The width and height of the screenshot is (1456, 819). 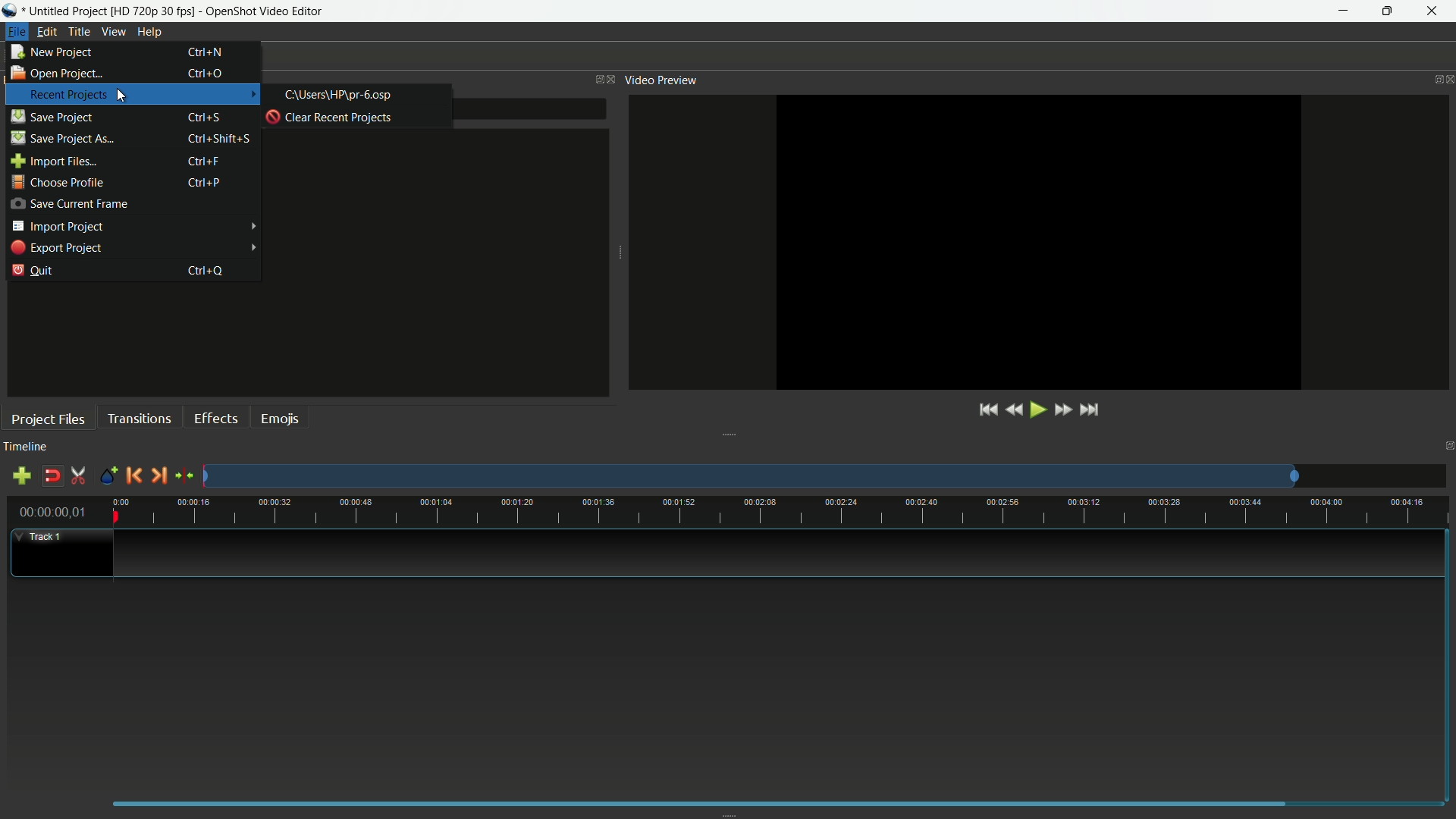 I want to click on jump to end, so click(x=1090, y=411).